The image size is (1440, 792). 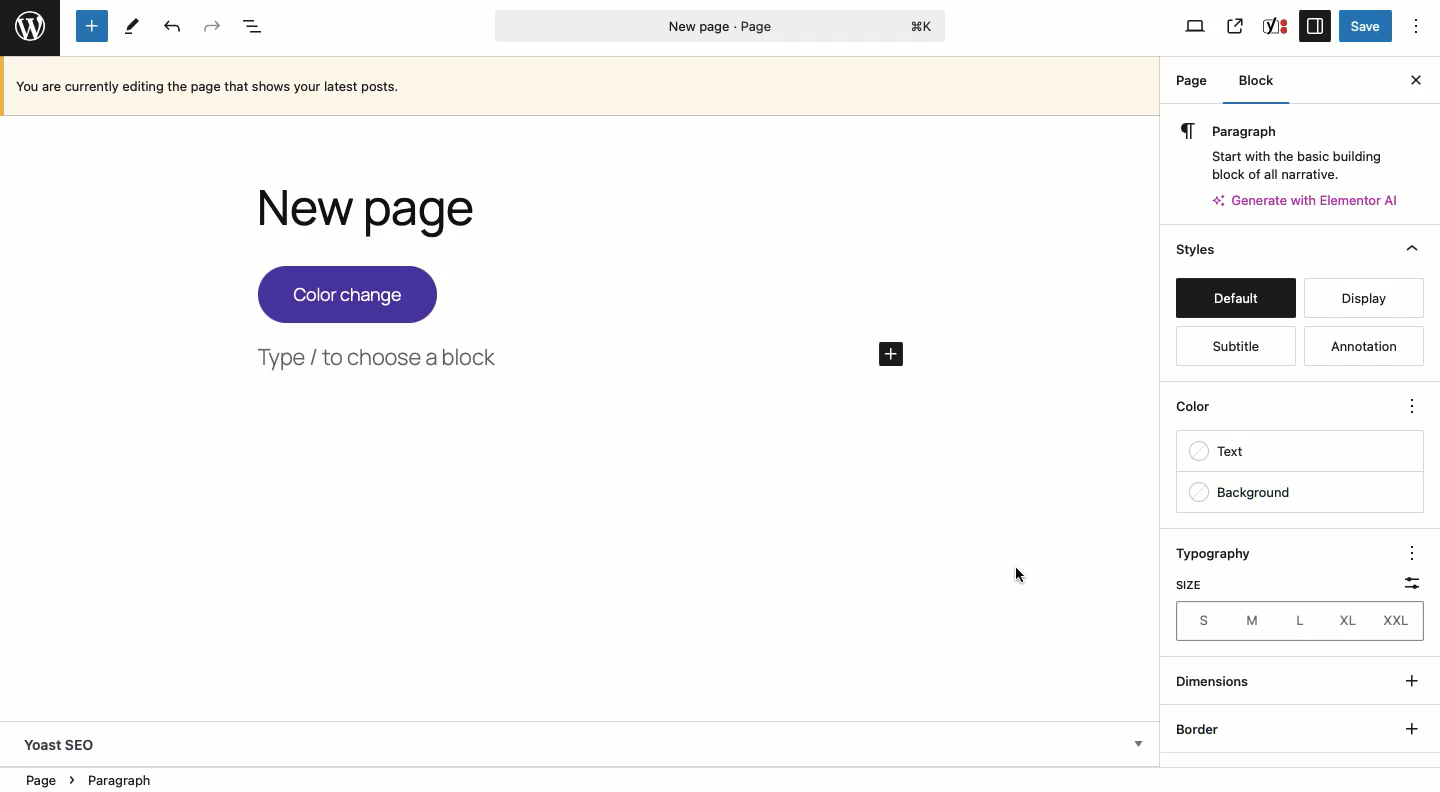 I want to click on View, so click(x=1195, y=26).